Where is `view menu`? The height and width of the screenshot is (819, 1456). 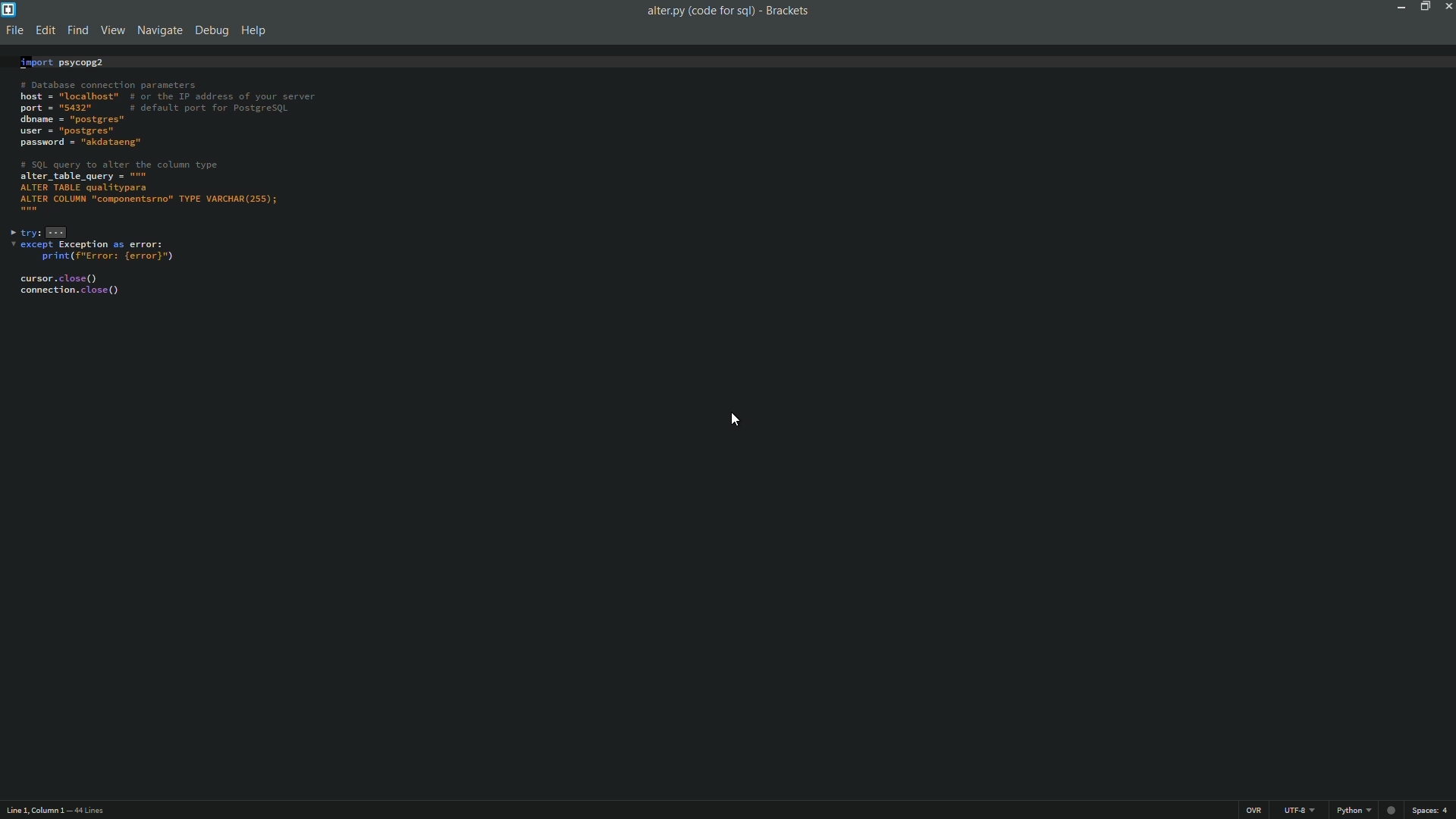
view menu is located at coordinates (108, 31).